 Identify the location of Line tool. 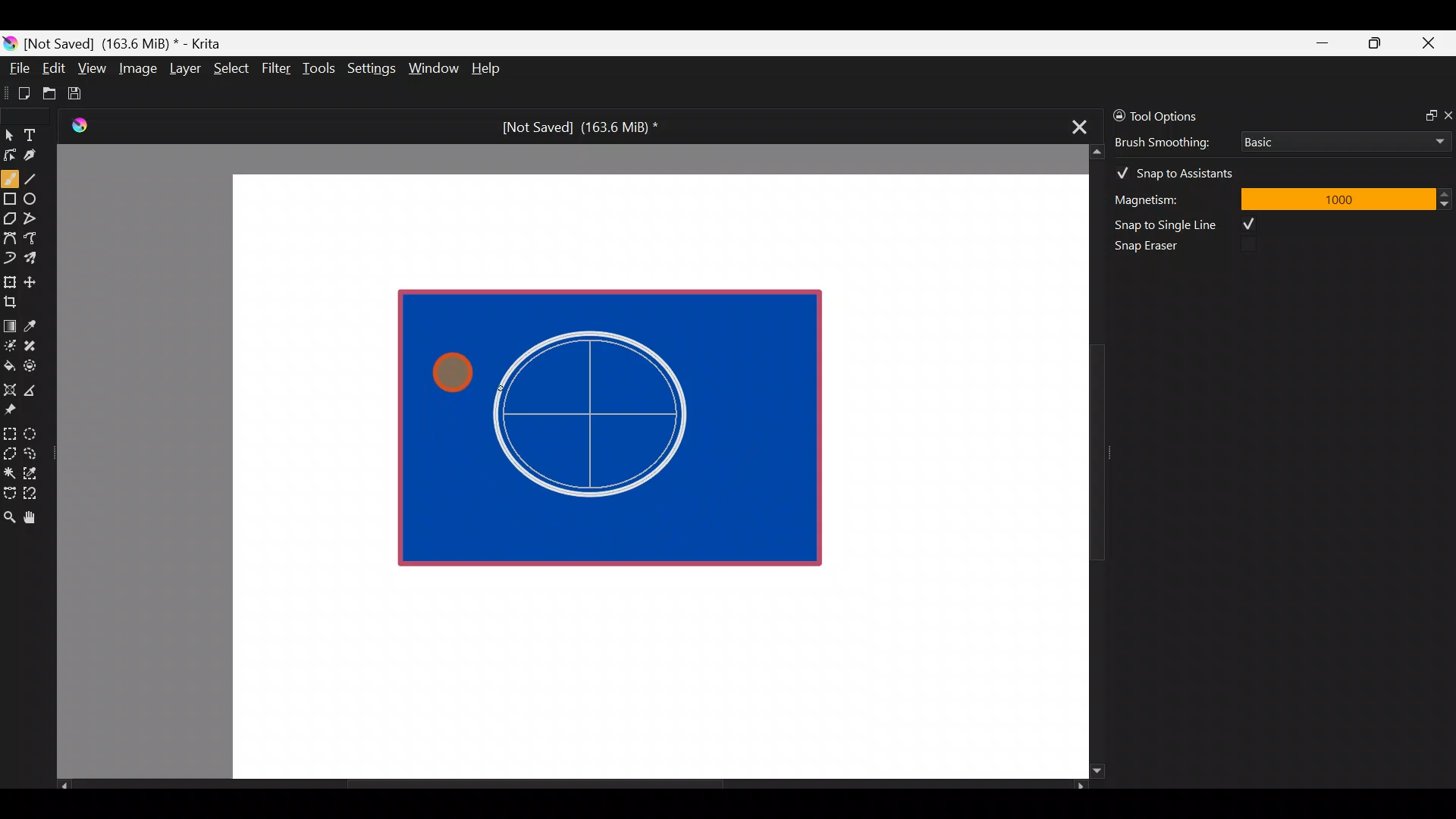
(40, 177).